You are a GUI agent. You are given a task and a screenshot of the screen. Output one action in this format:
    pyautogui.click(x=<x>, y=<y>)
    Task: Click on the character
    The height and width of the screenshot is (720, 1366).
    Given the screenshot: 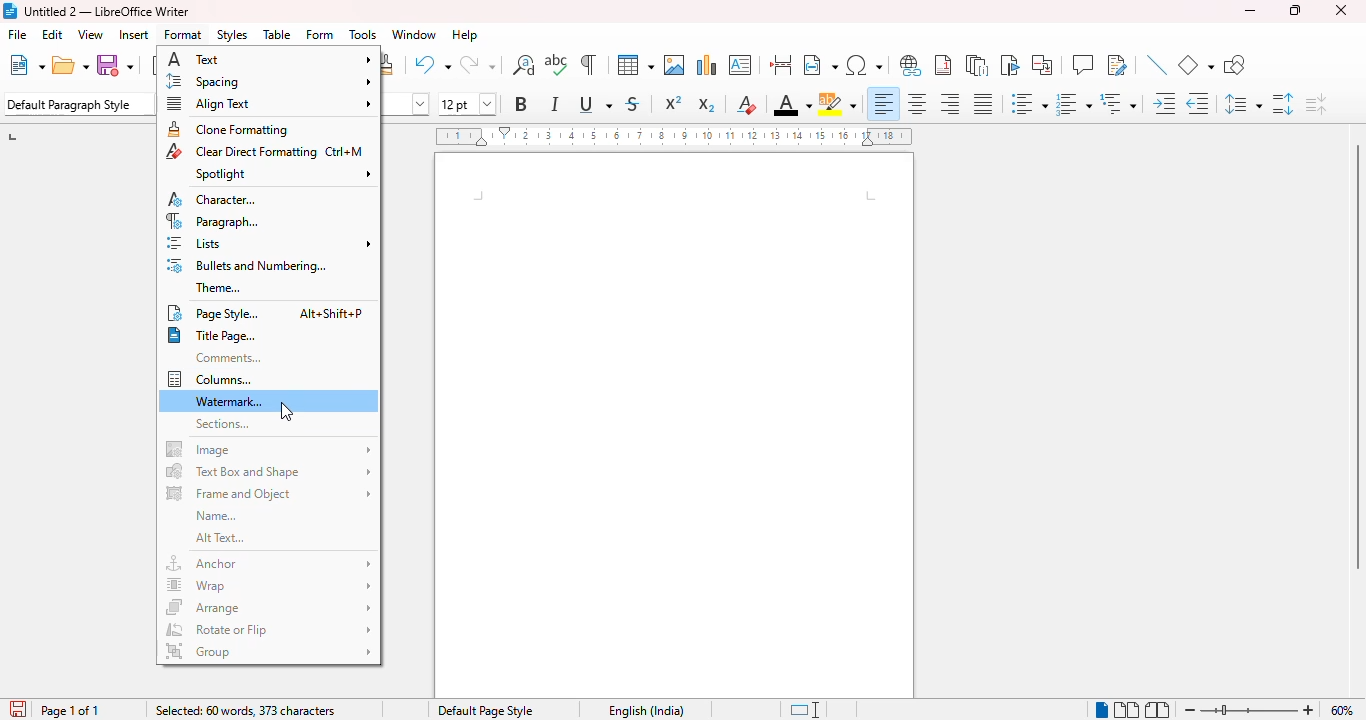 What is the action you would take?
    pyautogui.click(x=212, y=199)
    